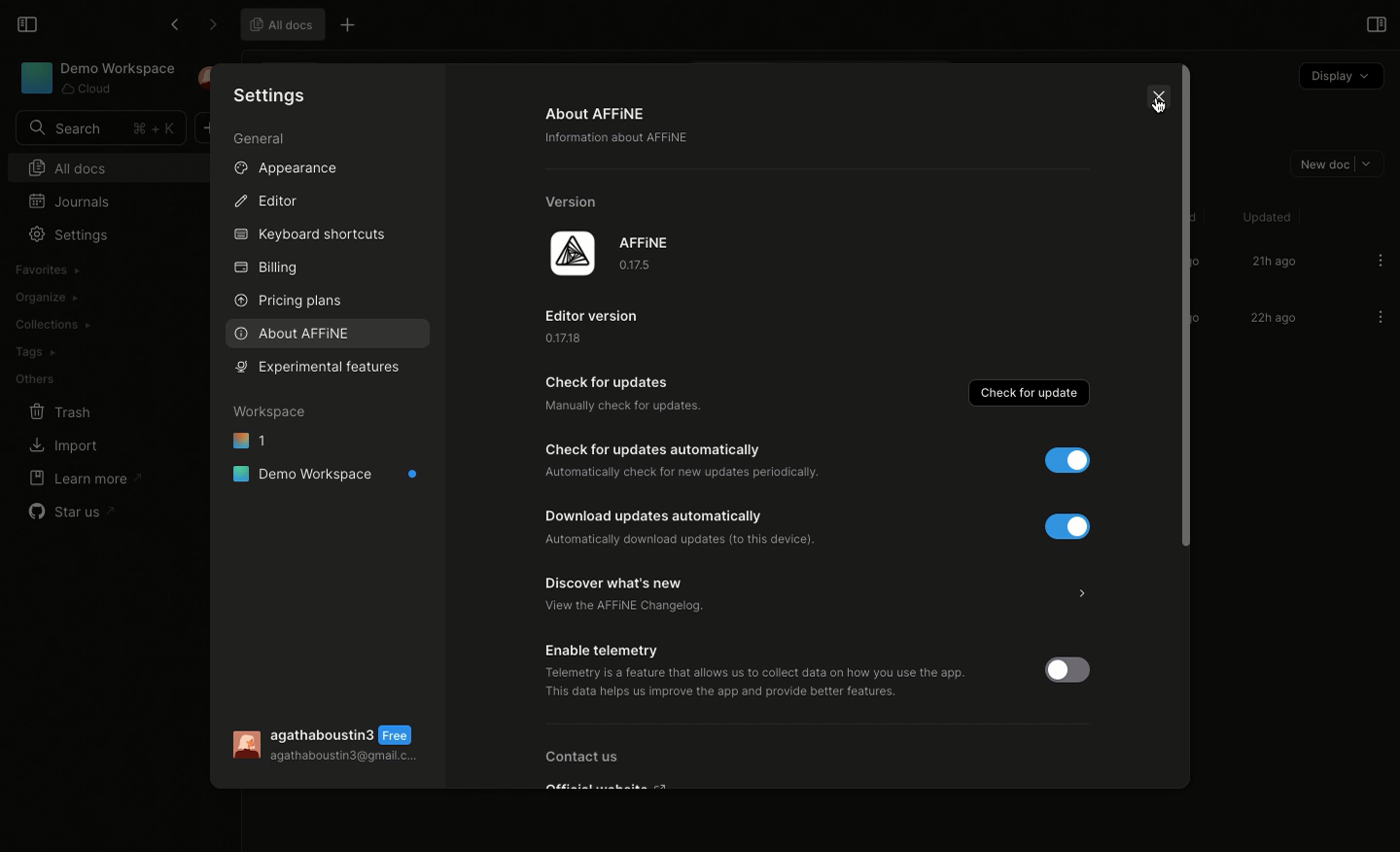 The height and width of the screenshot is (852, 1400). Describe the element at coordinates (292, 539) in the screenshot. I see `Properties` at that location.